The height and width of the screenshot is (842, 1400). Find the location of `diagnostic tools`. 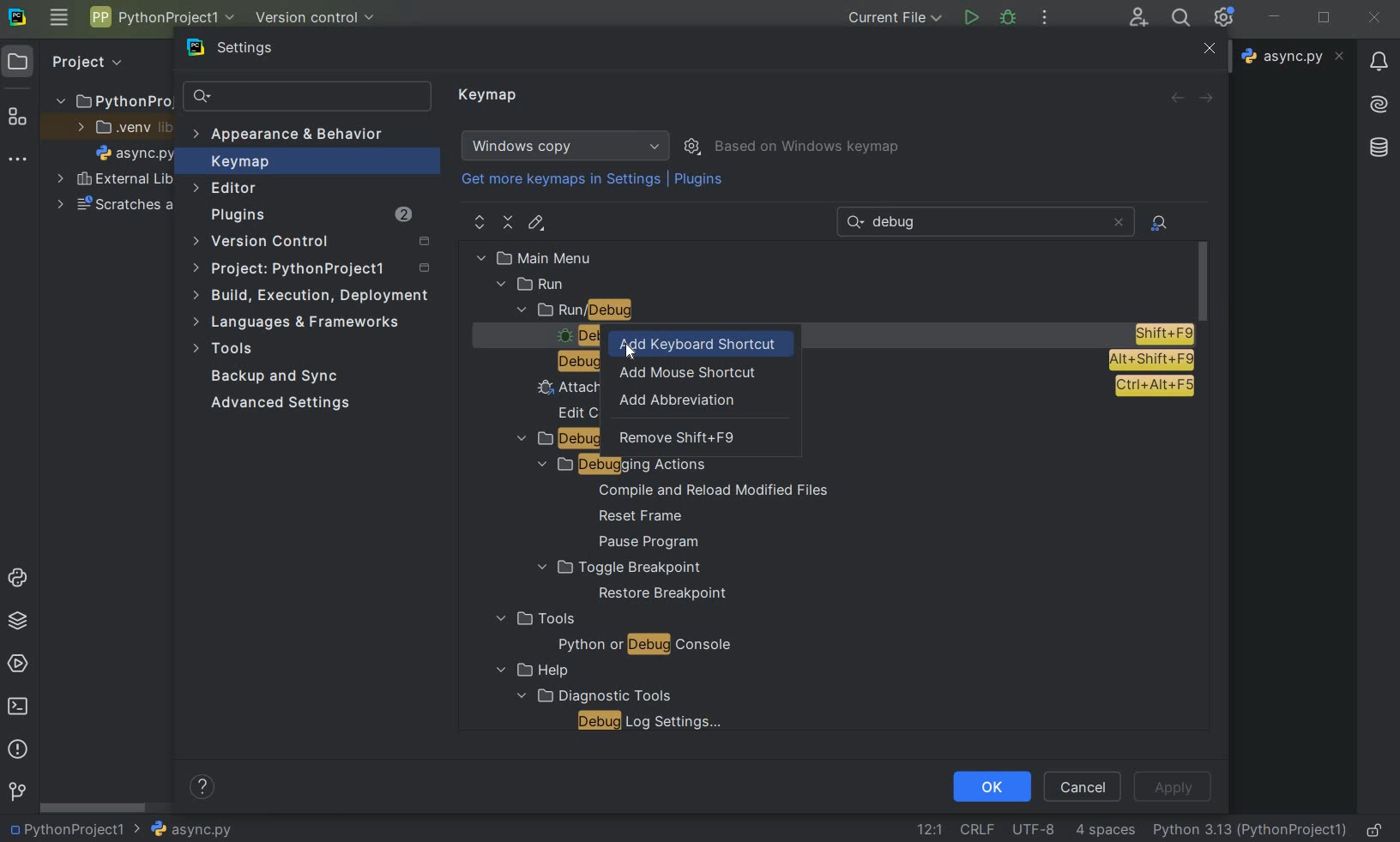

diagnostic tools is located at coordinates (592, 695).